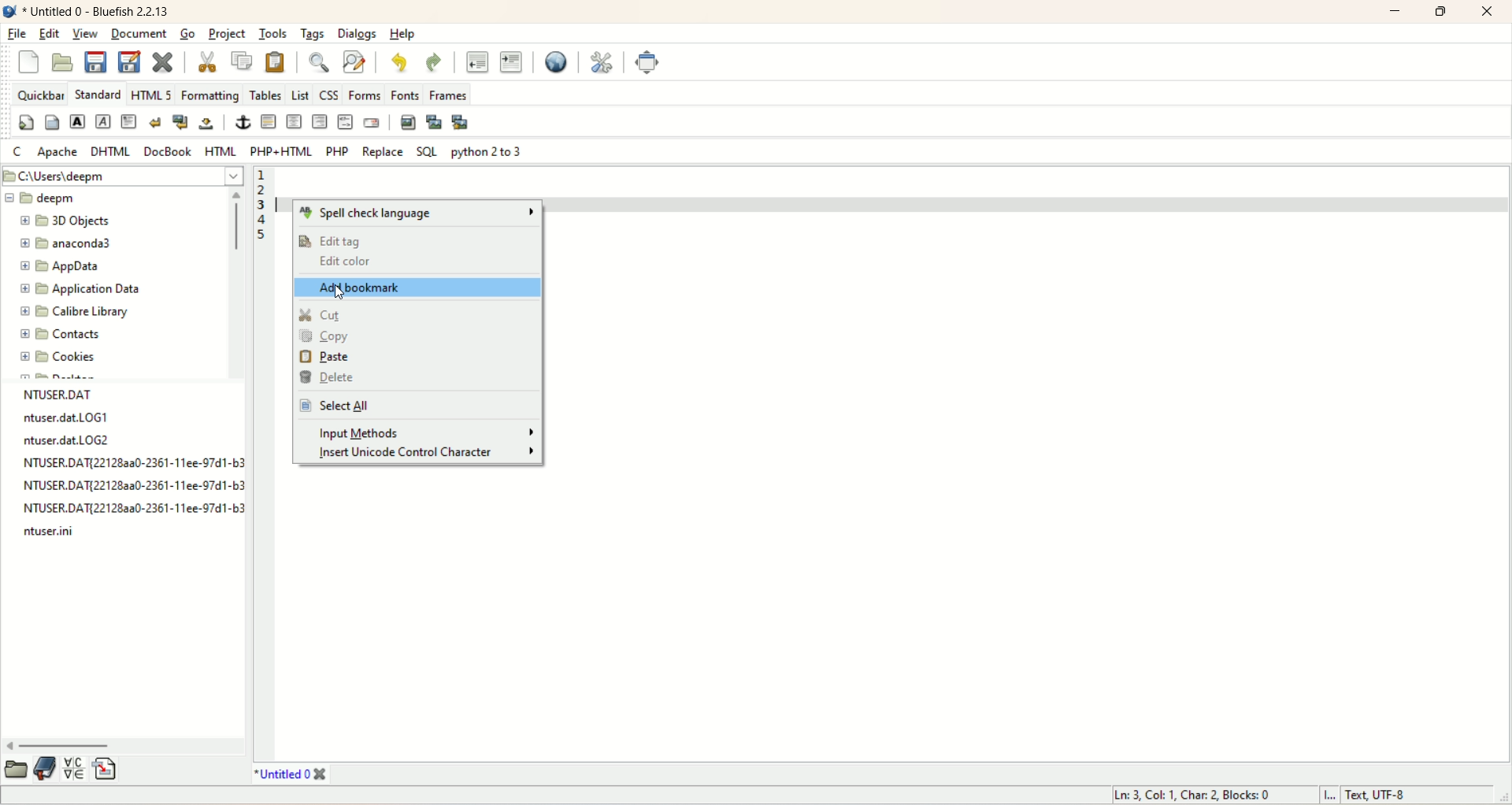 Image resolution: width=1512 pixels, height=805 pixels. I want to click on I, so click(1331, 796).